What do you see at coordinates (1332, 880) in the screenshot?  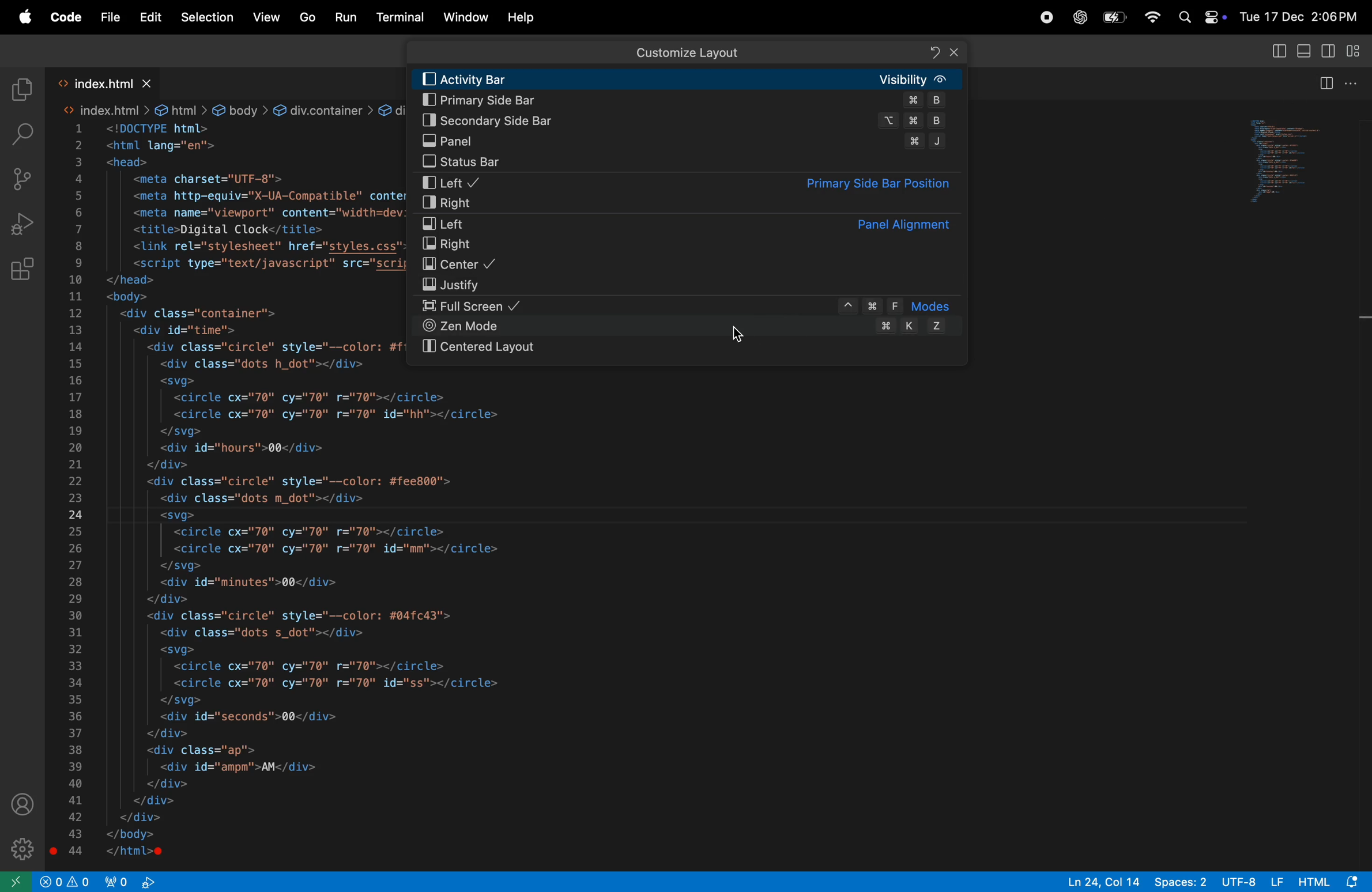 I see `html` at bounding box center [1332, 880].